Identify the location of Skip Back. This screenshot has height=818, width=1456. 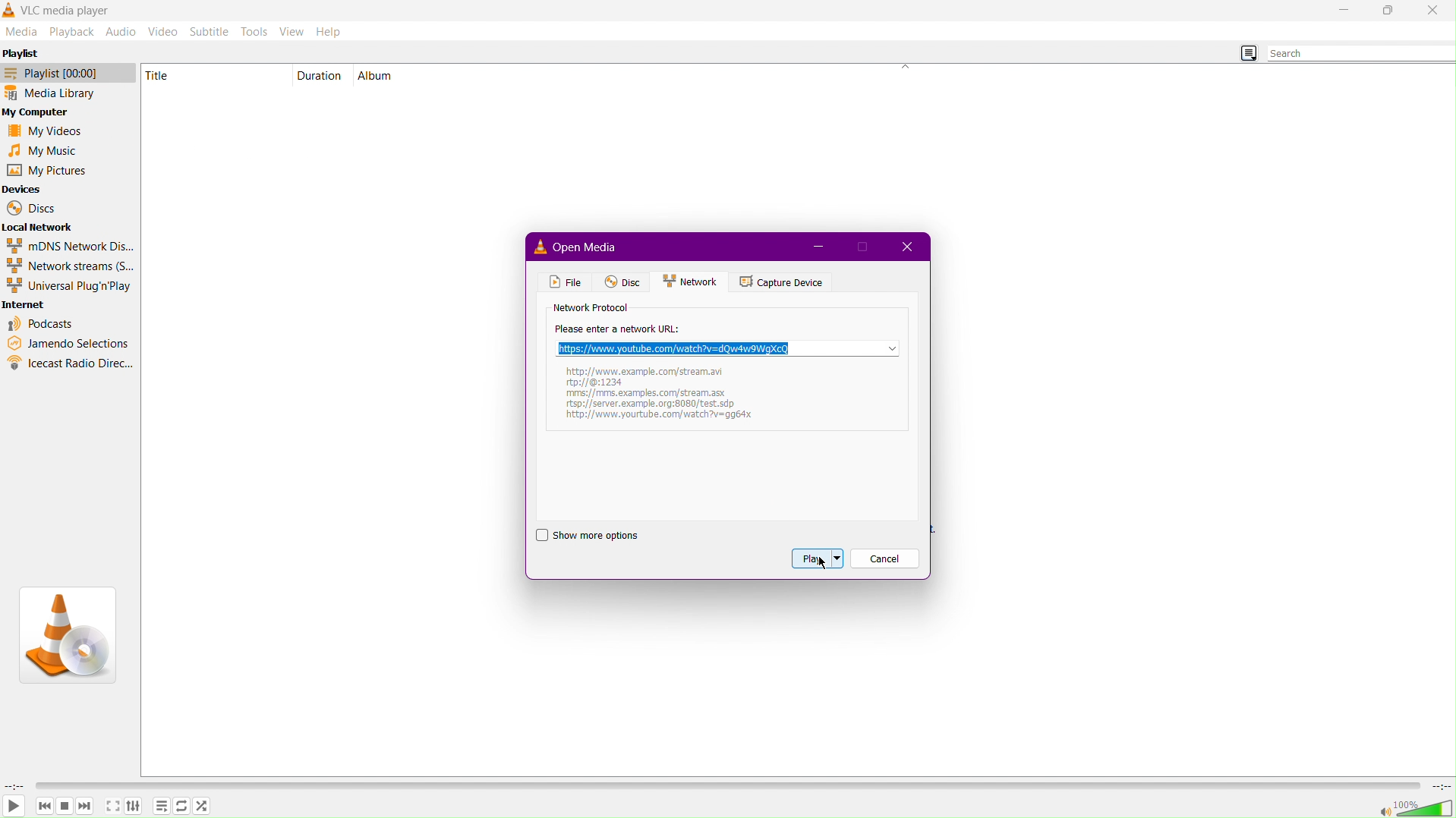
(45, 807).